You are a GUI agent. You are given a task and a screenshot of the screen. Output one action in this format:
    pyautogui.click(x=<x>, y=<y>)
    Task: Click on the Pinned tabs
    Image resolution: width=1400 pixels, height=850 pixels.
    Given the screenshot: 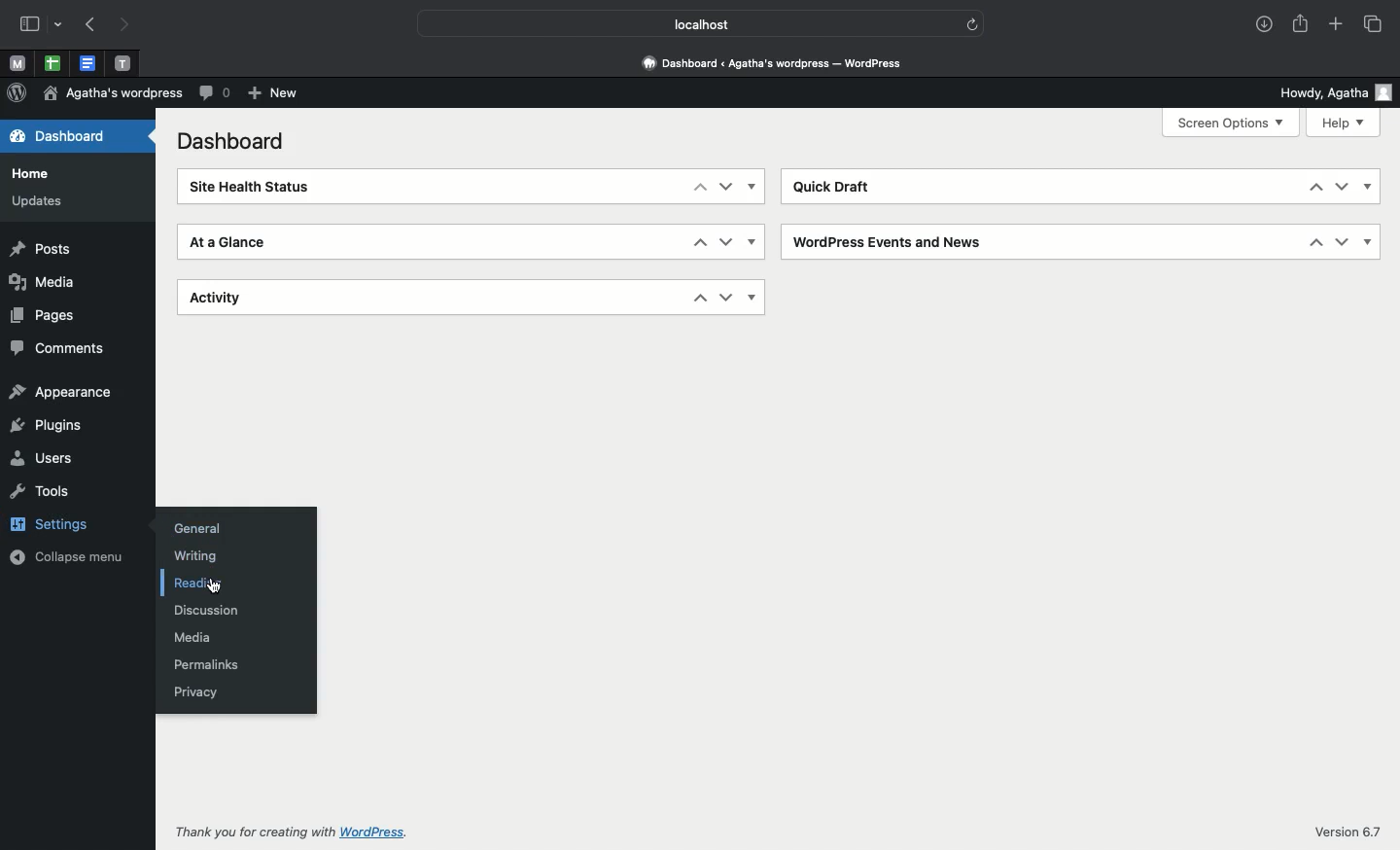 What is the action you would take?
    pyautogui.click(x=14, y=62)
    